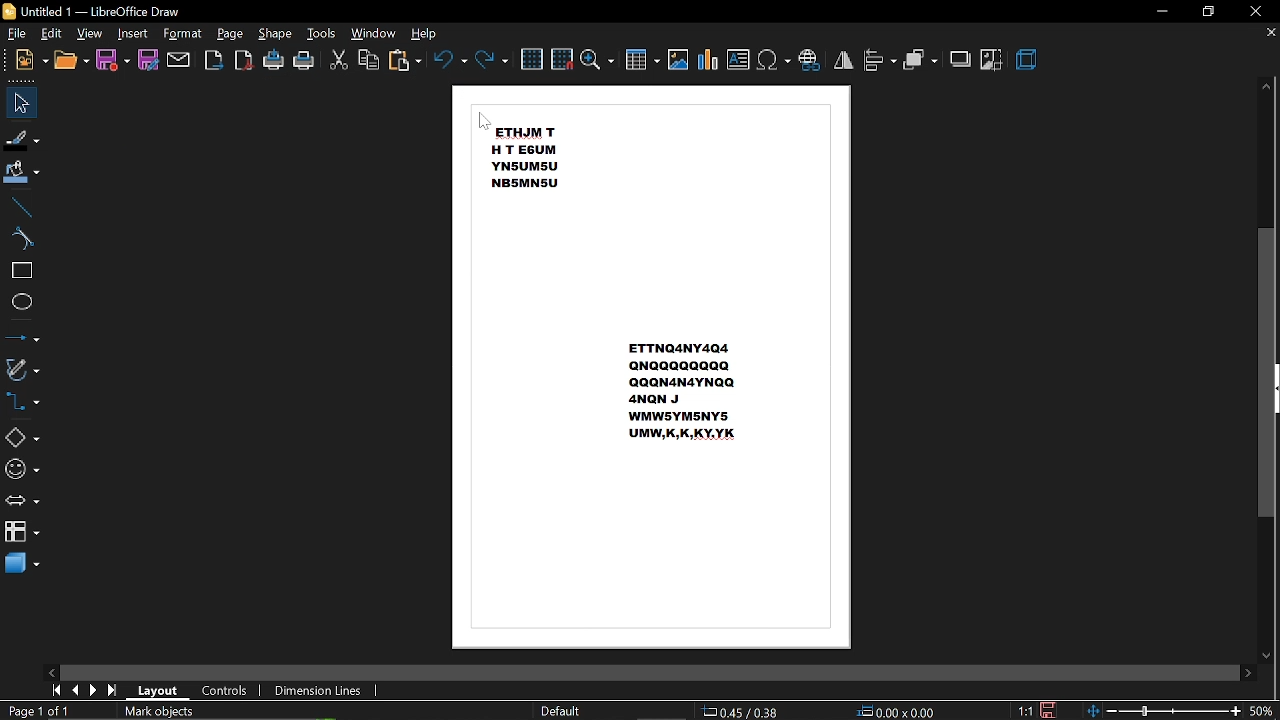 The width and height of the screenshot is (1280, 720). I want to click on next page, so click(96, 690).